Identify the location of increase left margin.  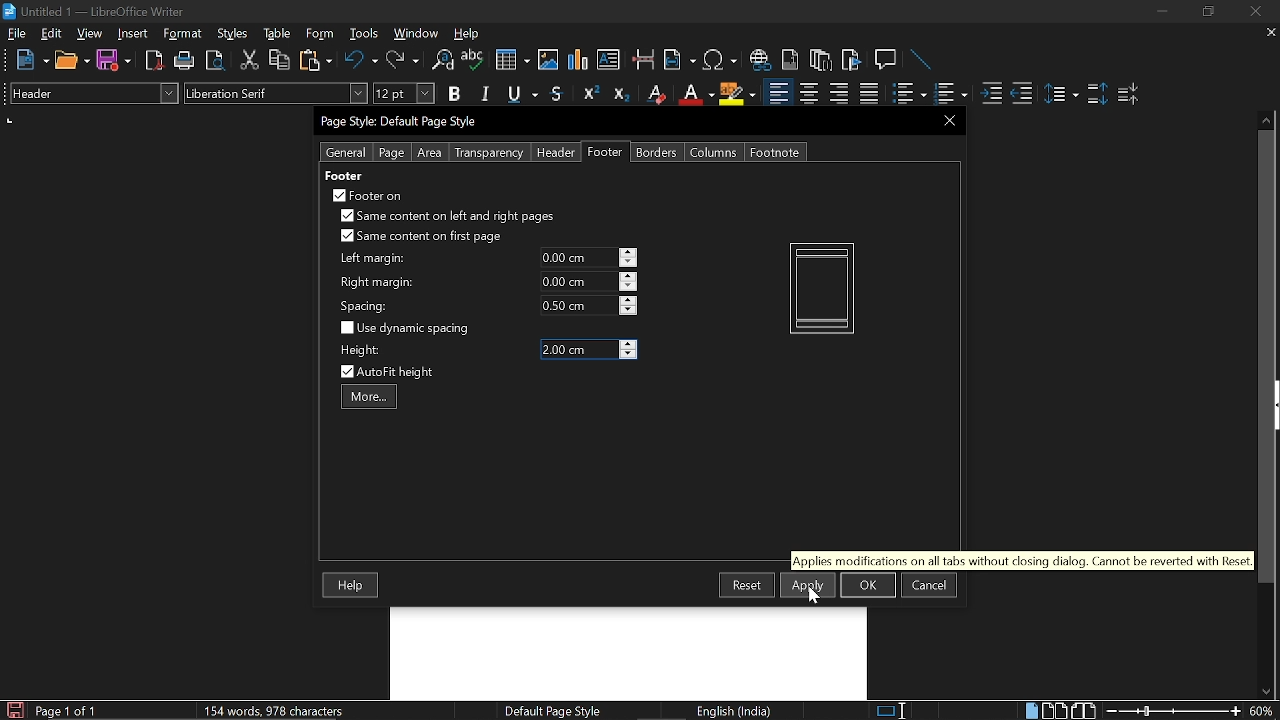
(629, 252).